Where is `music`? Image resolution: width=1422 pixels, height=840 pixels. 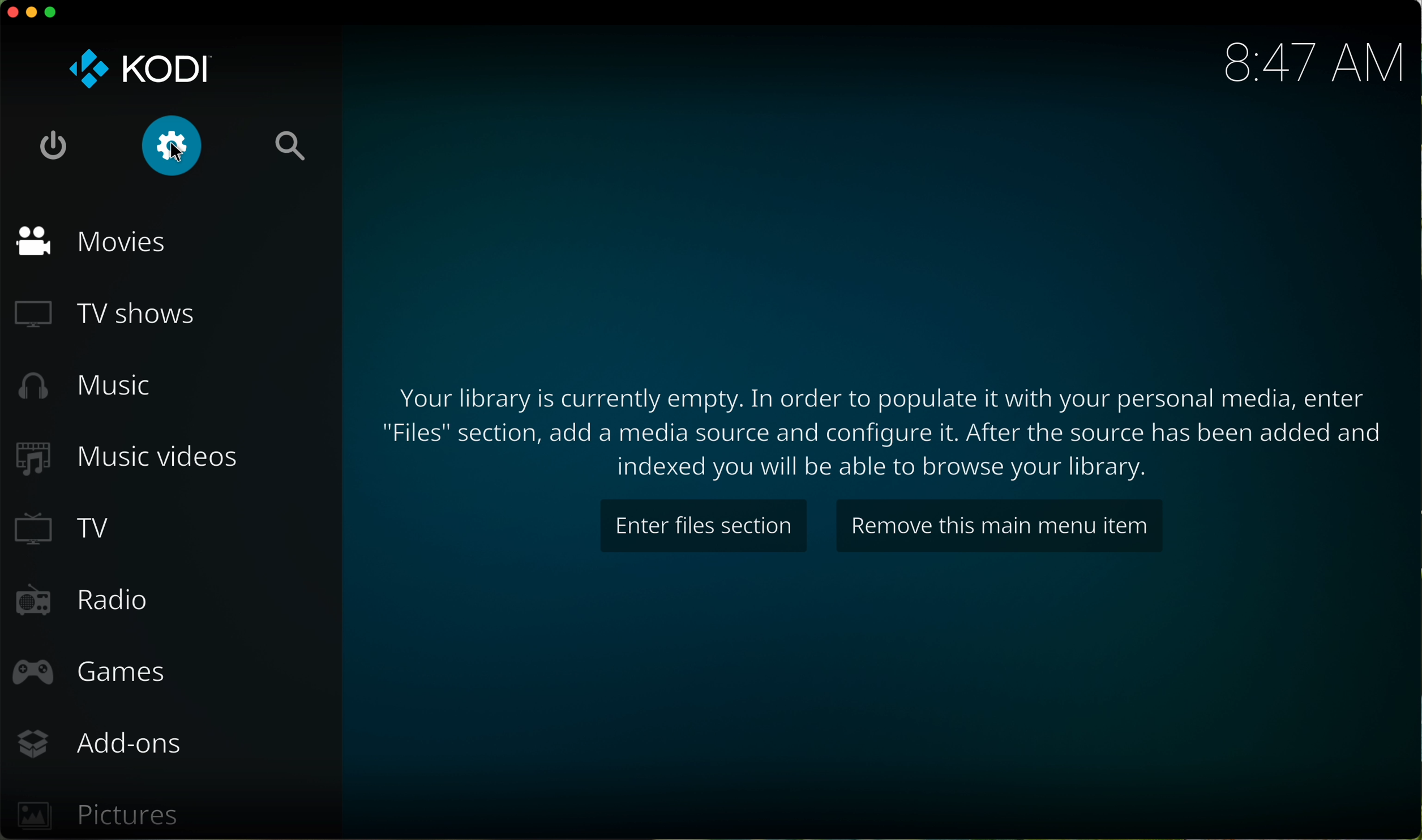 music is located at coordinates (80, 387).